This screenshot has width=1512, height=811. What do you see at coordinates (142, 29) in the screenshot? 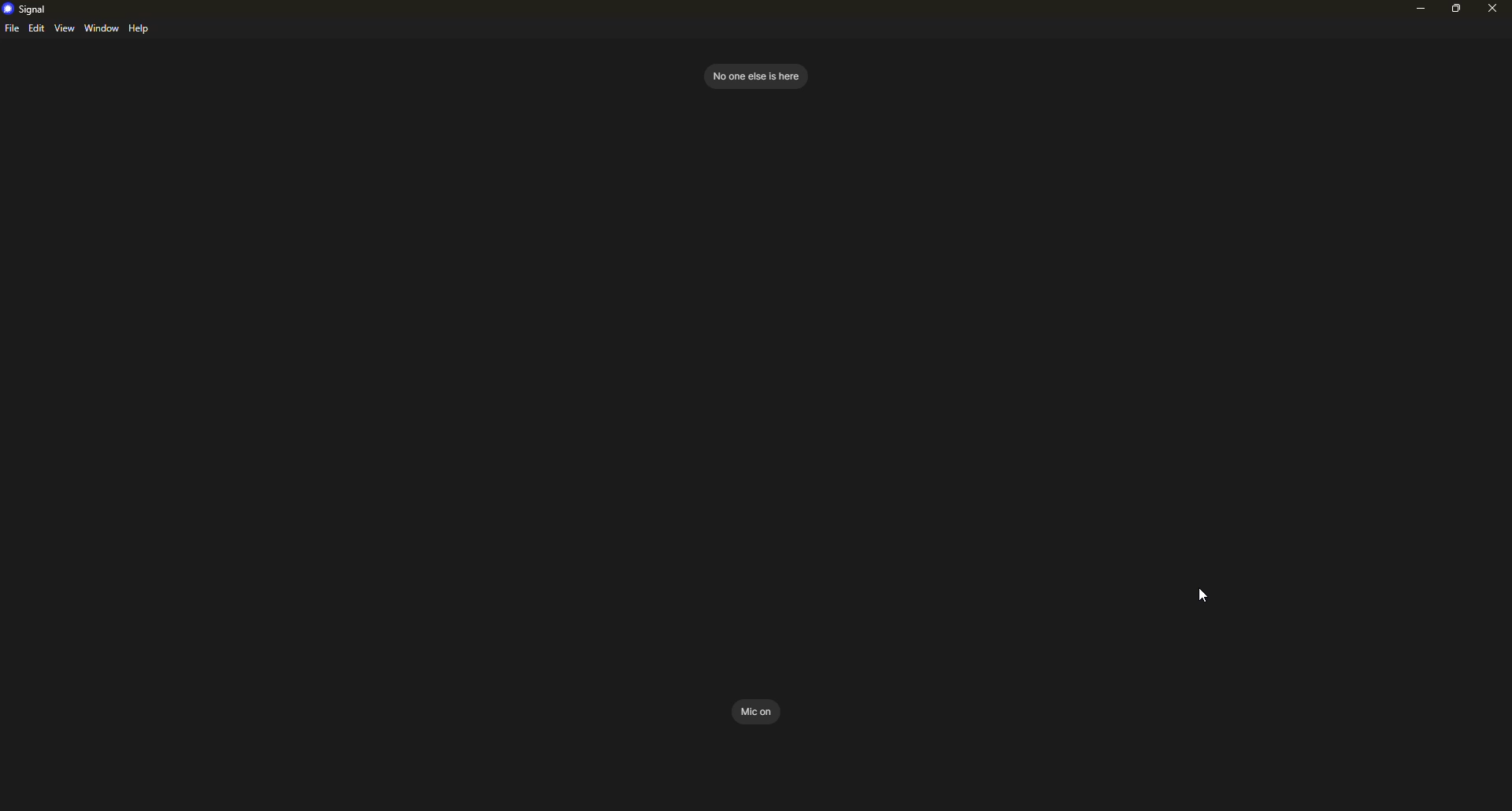
I see `help` at bounding box center [142, 29].